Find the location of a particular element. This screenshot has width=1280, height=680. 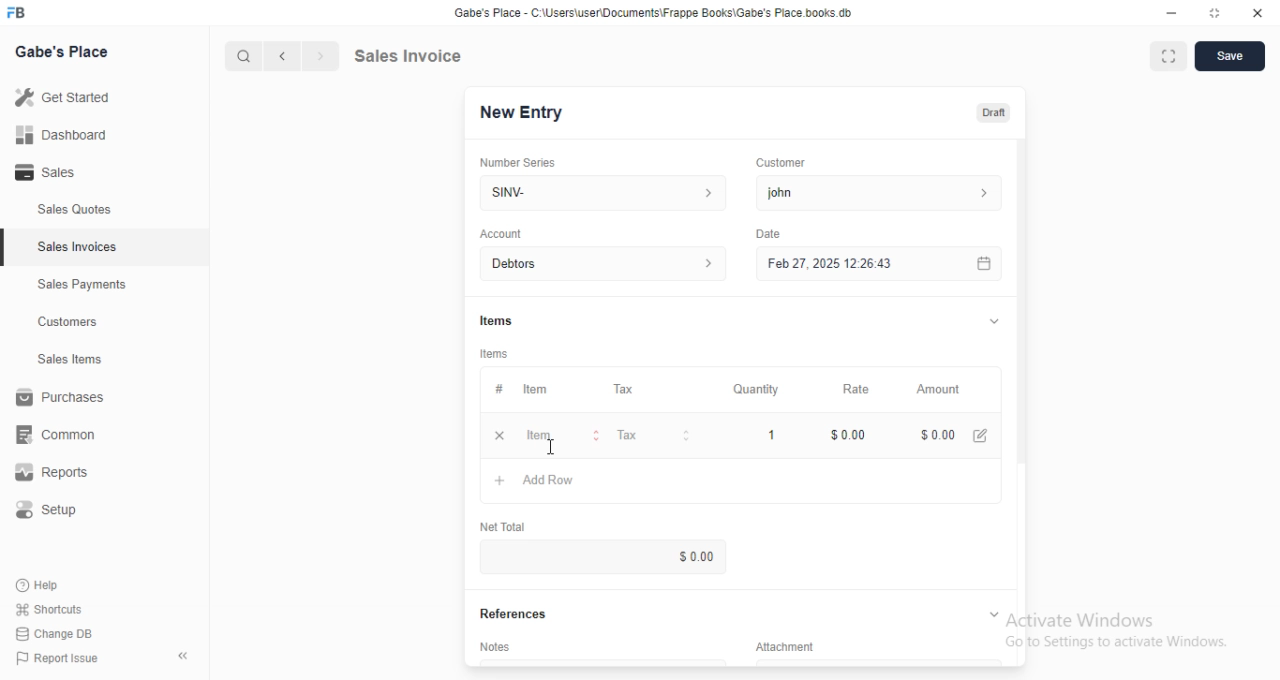

Number Series is located at coordinates (525, 160).